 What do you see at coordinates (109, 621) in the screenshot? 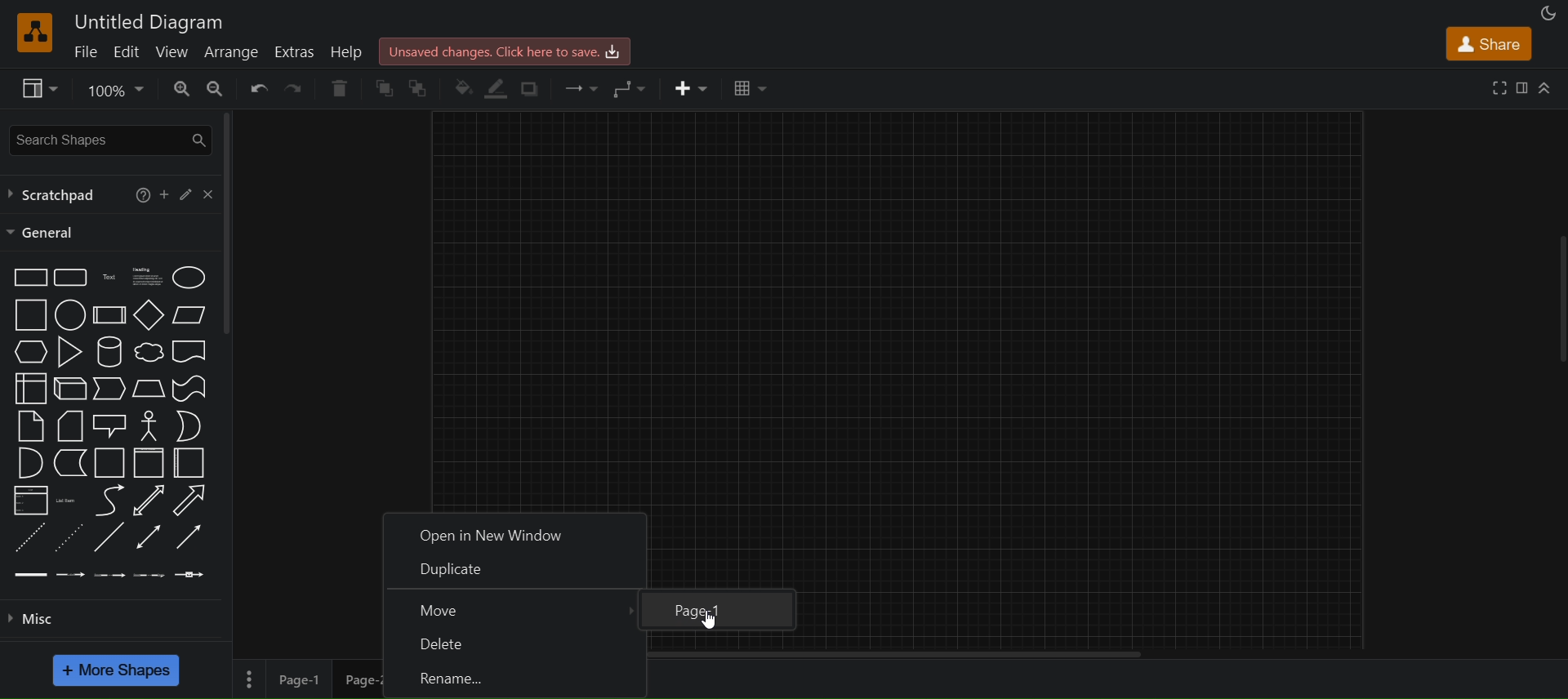
I see `misc` at bounding box center [109, 621].